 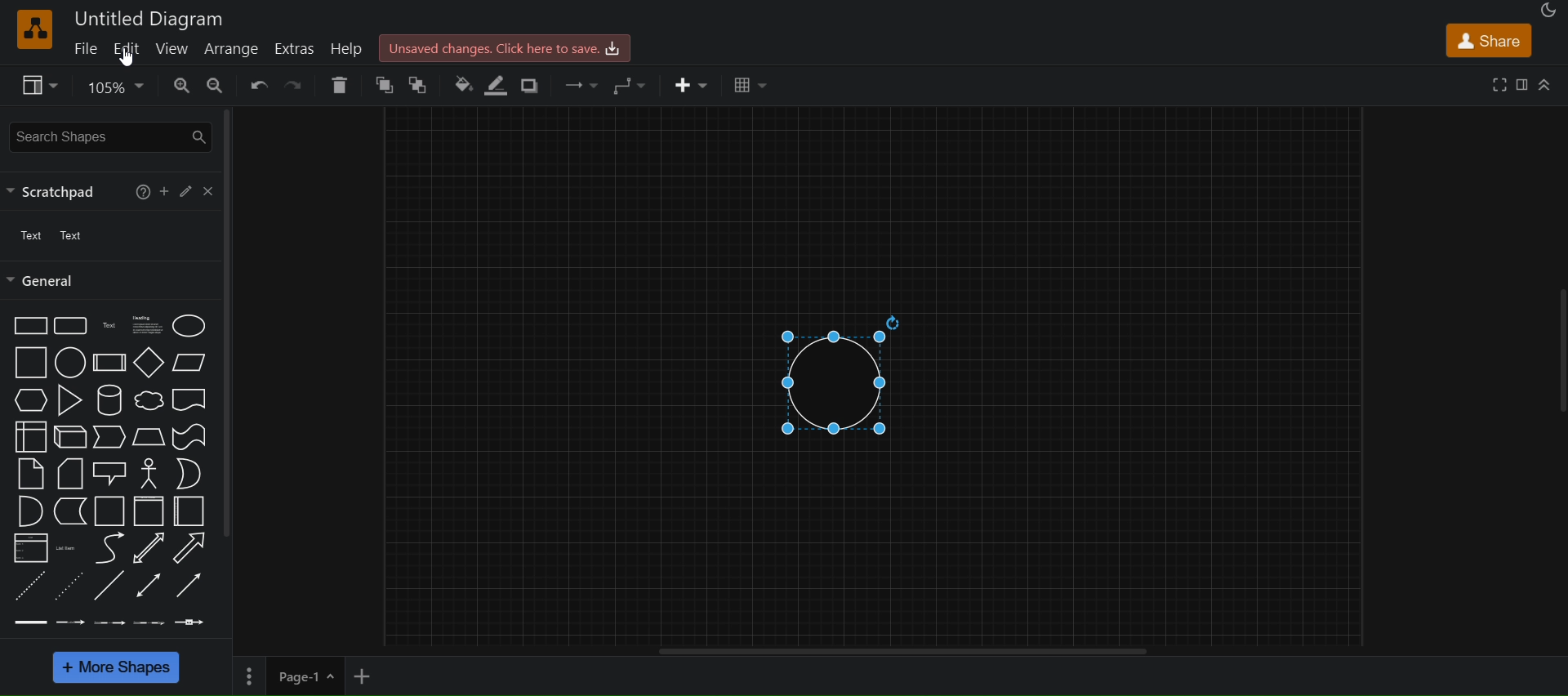 What do you see at coordinates (148, 400) in the screenshot?
I see `cloud` at bounding box center [148, 400].